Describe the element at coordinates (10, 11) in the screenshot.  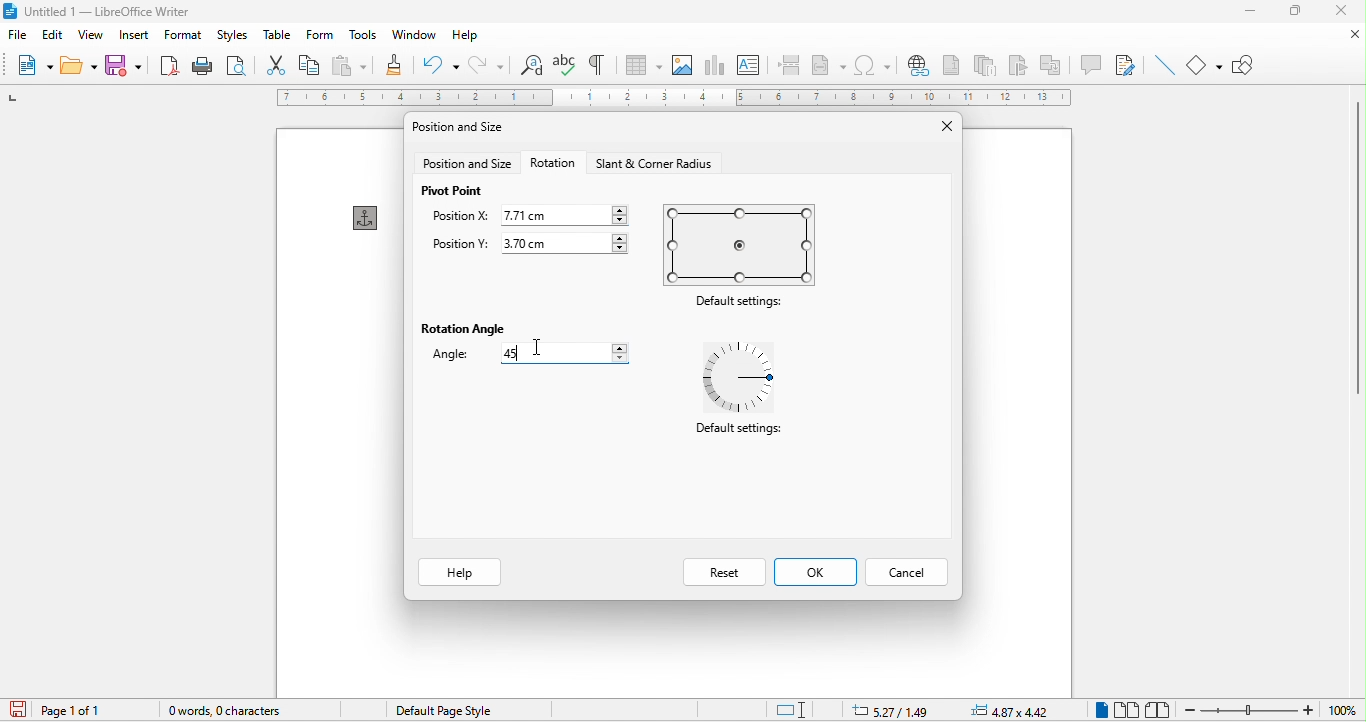
I see `libreoffice logo` at that location.